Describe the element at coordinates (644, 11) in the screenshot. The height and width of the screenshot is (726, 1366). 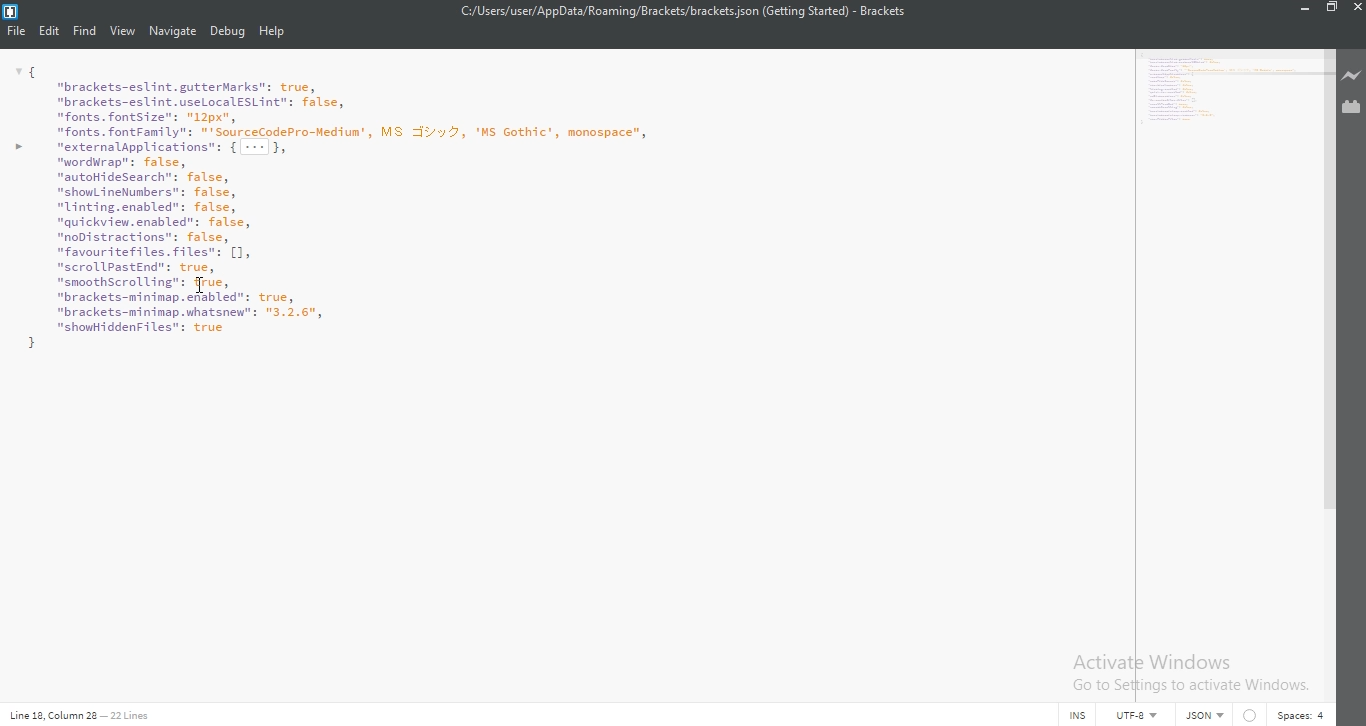
I see `C:/Users/user/AppData/Roaming/Brackets/brackets json (Getting Started)` at that location.